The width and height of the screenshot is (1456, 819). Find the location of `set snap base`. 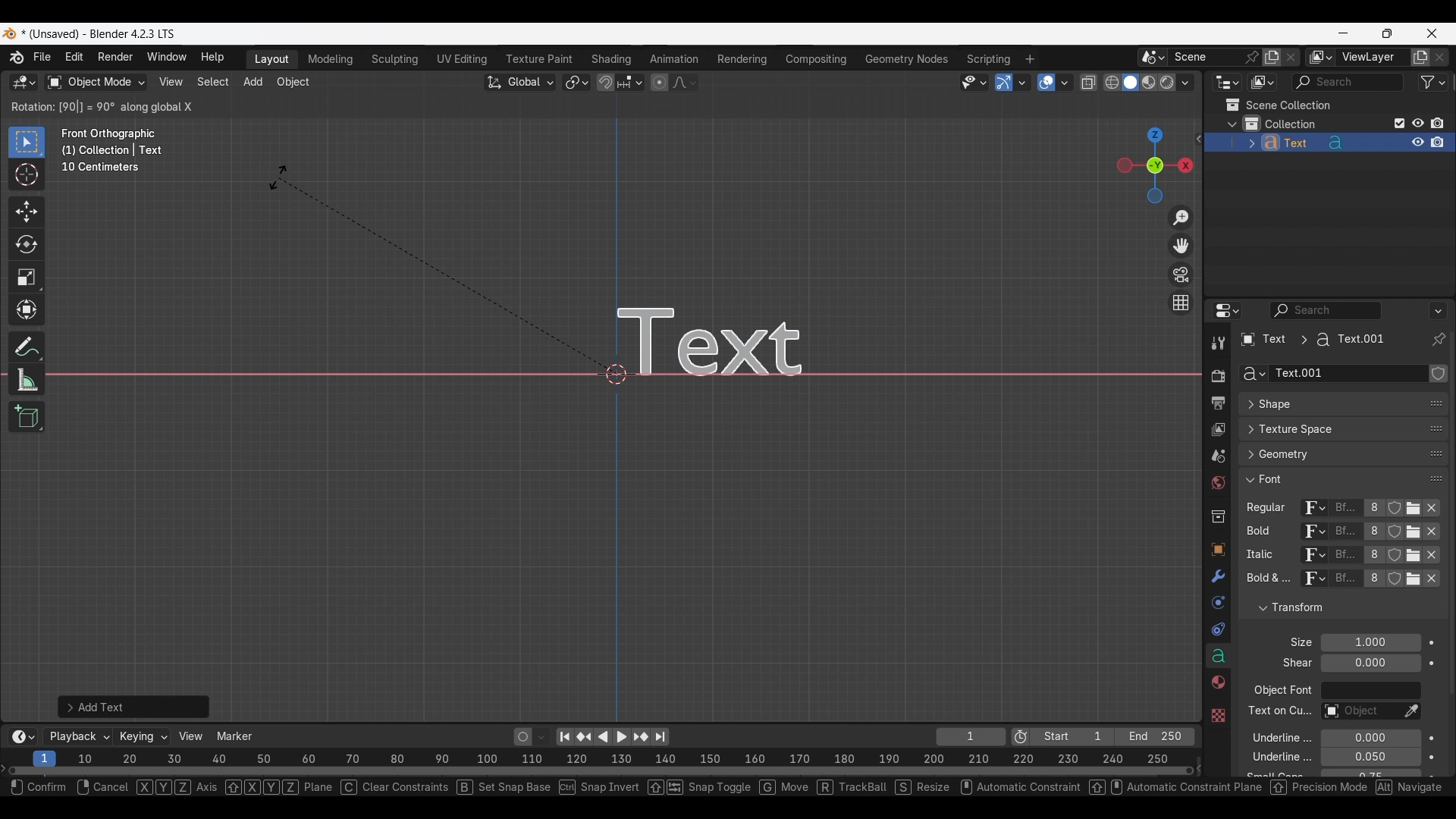

set snap base is located at coordinates (504, 789).